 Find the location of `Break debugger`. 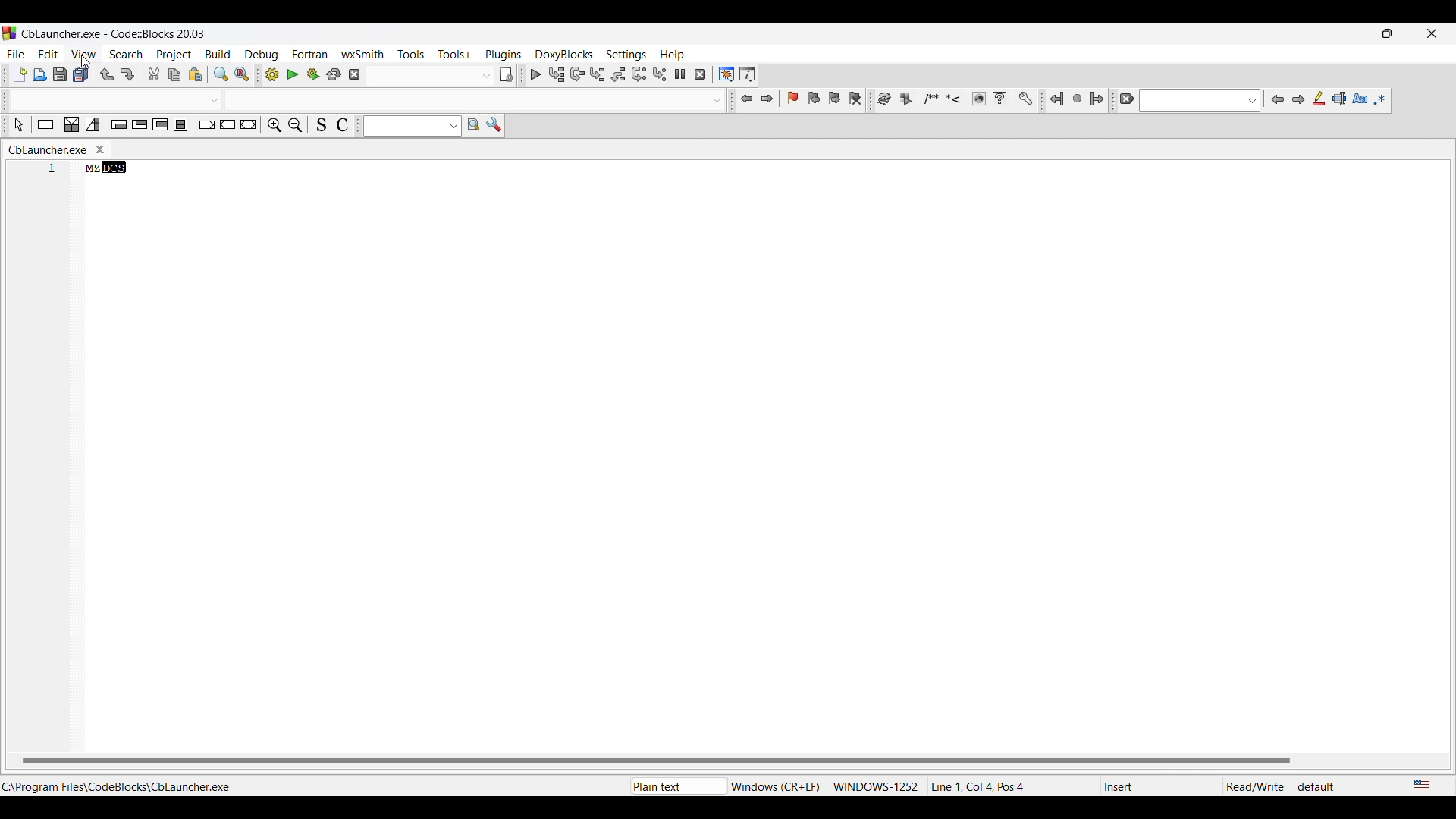

Break debugger is located at coordinates (680, 74).